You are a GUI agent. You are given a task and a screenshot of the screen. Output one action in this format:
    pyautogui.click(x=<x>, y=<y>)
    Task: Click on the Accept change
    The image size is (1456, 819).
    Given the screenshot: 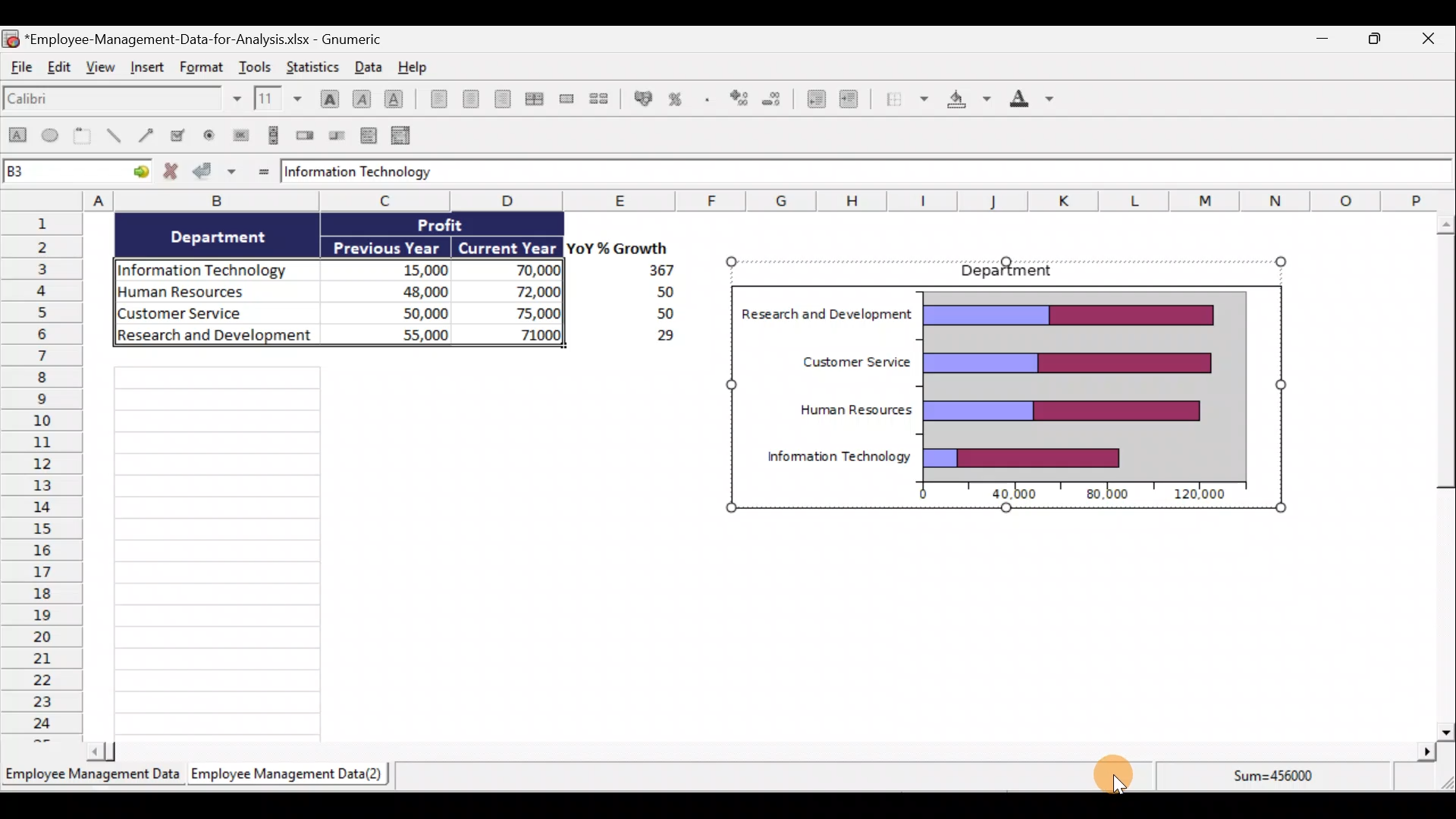 What is the action you would take?
    pyautogui.click(x=215, y=170)
    